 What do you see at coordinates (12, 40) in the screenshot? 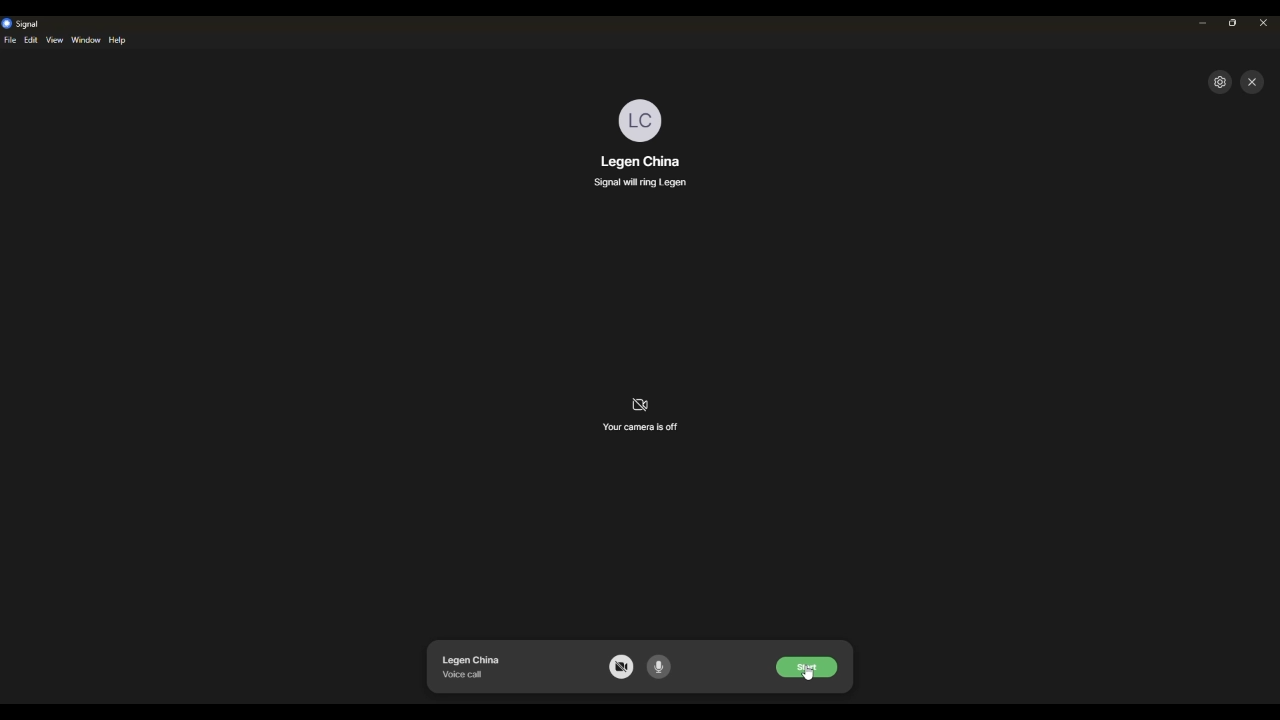
I see `file` at bounding box center [12, 40].